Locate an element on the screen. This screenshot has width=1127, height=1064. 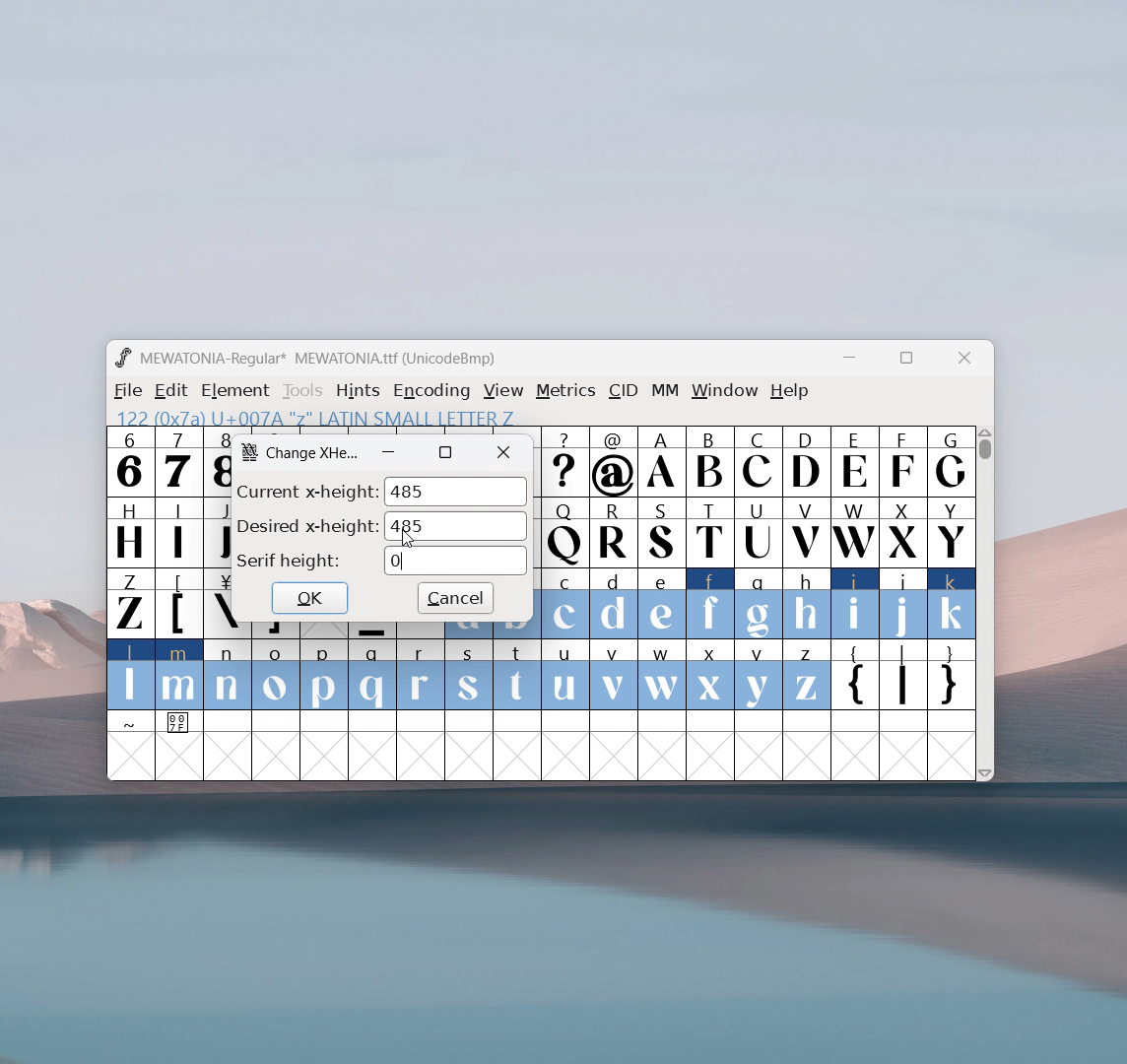
o is located at coordinates (277, 677).